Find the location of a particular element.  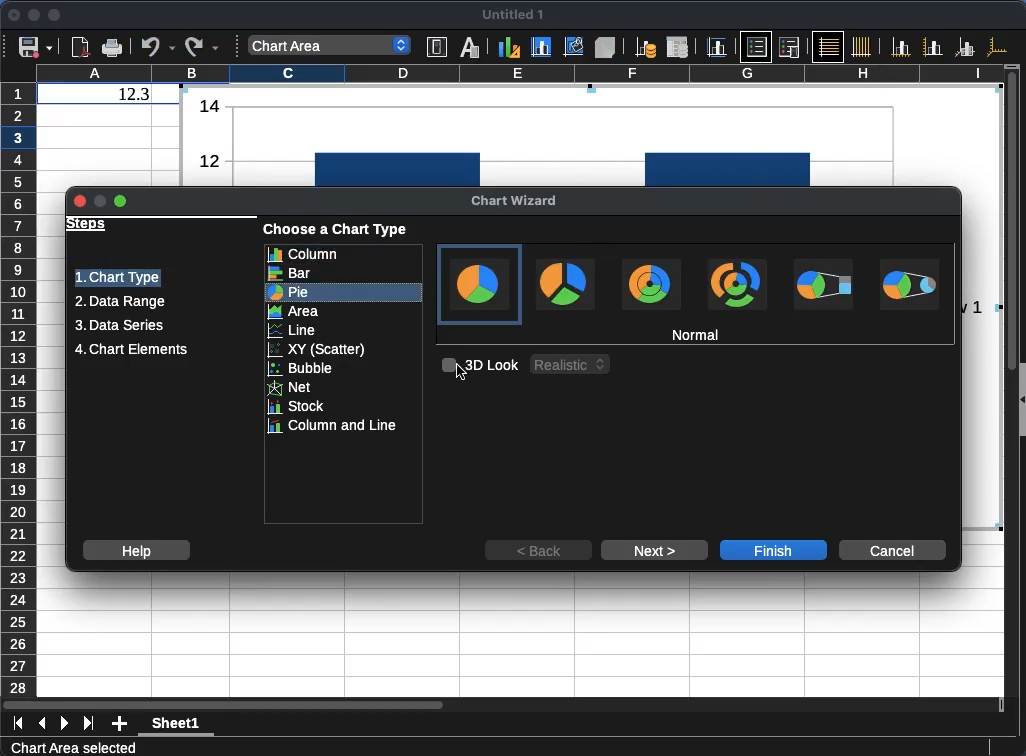

Exploded donut chart is located at coordinates (737, 284).